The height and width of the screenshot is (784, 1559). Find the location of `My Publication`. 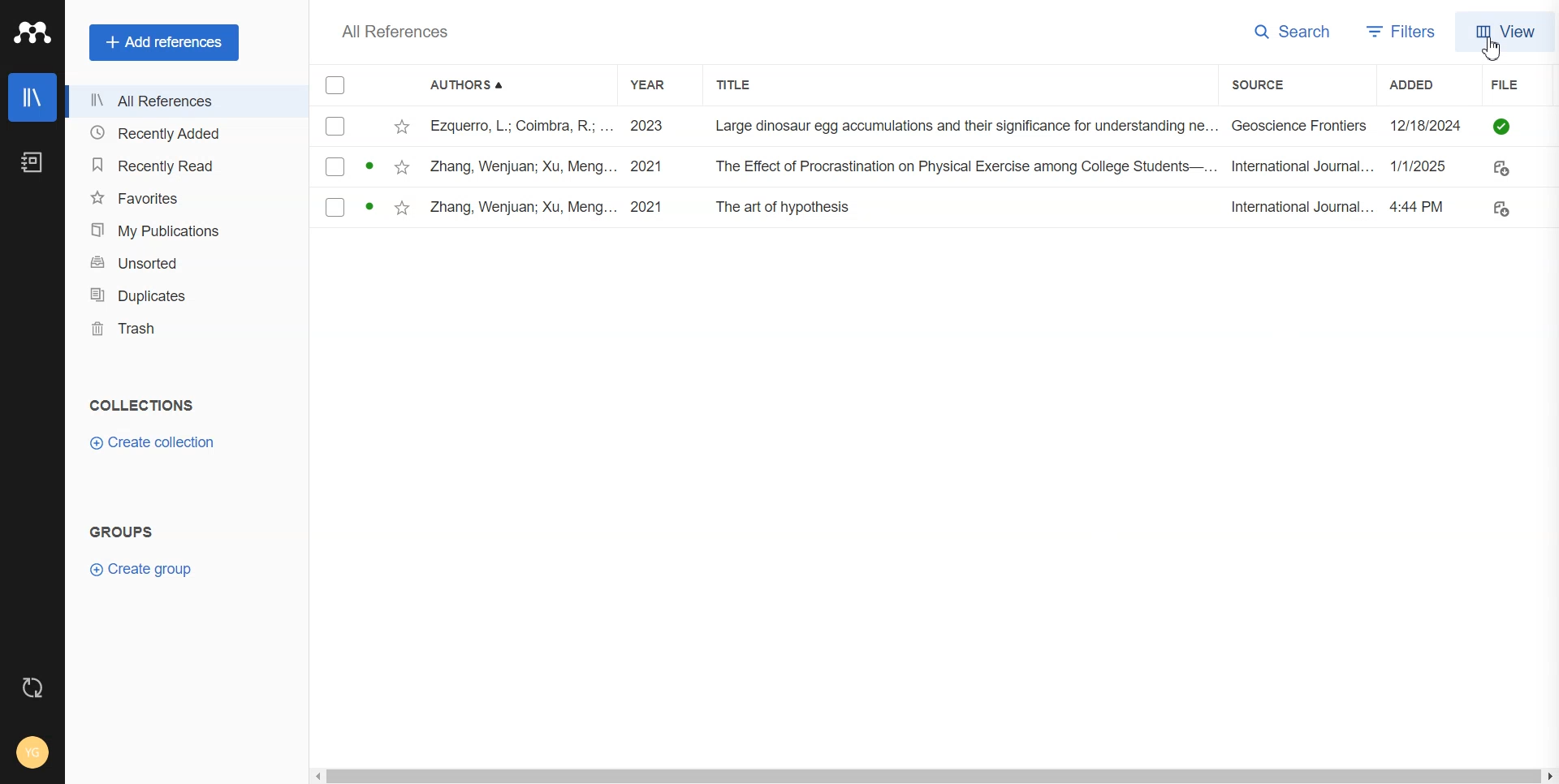

My Publication is located at coordinates (172, 231).